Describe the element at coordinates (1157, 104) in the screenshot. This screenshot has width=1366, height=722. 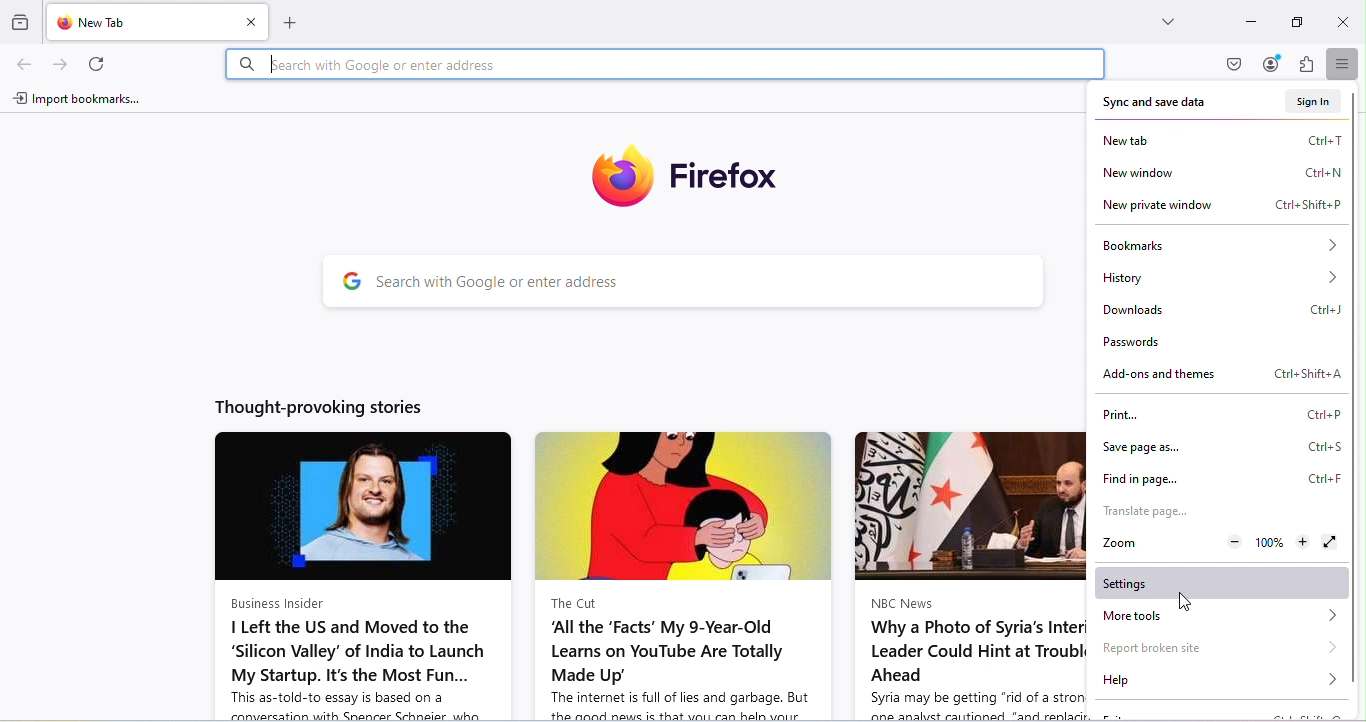
I see `Sync and save data` at that location.